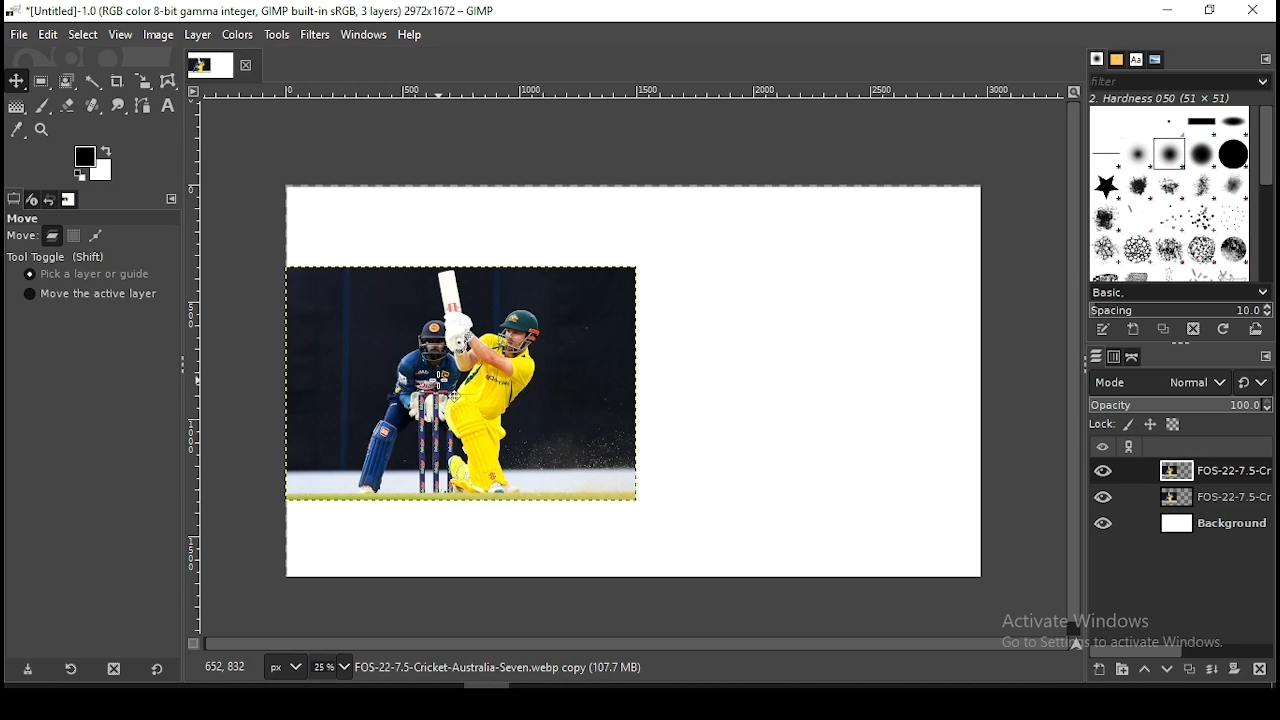 This screenshot has height=720, width=1280. I want to click on close, so click(1253, 10).